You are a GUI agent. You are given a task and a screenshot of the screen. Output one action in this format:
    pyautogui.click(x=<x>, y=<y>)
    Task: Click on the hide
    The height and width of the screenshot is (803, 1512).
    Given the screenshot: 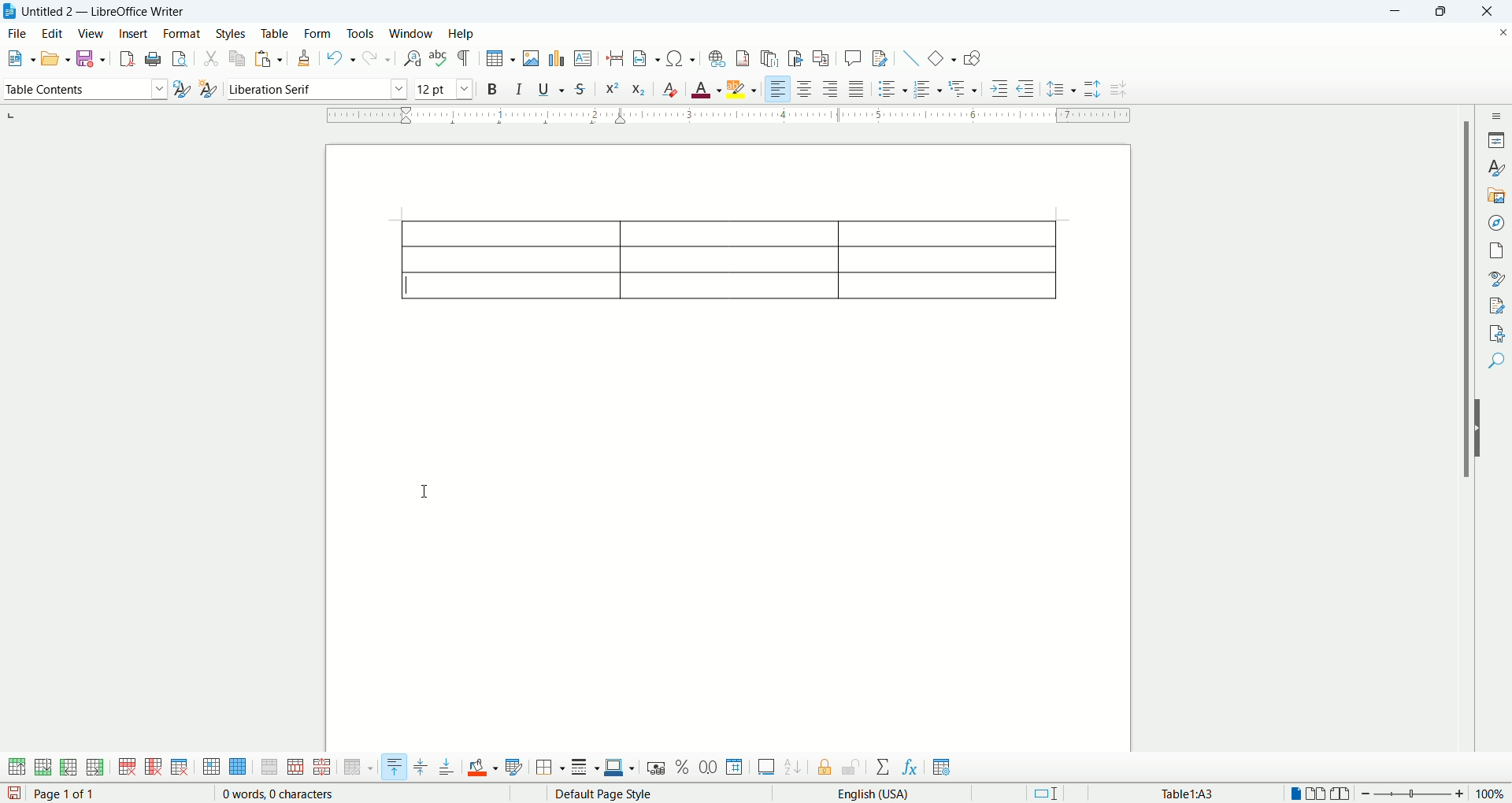 What is the action you would take?
    pyautogui.click(x=1482, y=446)
    